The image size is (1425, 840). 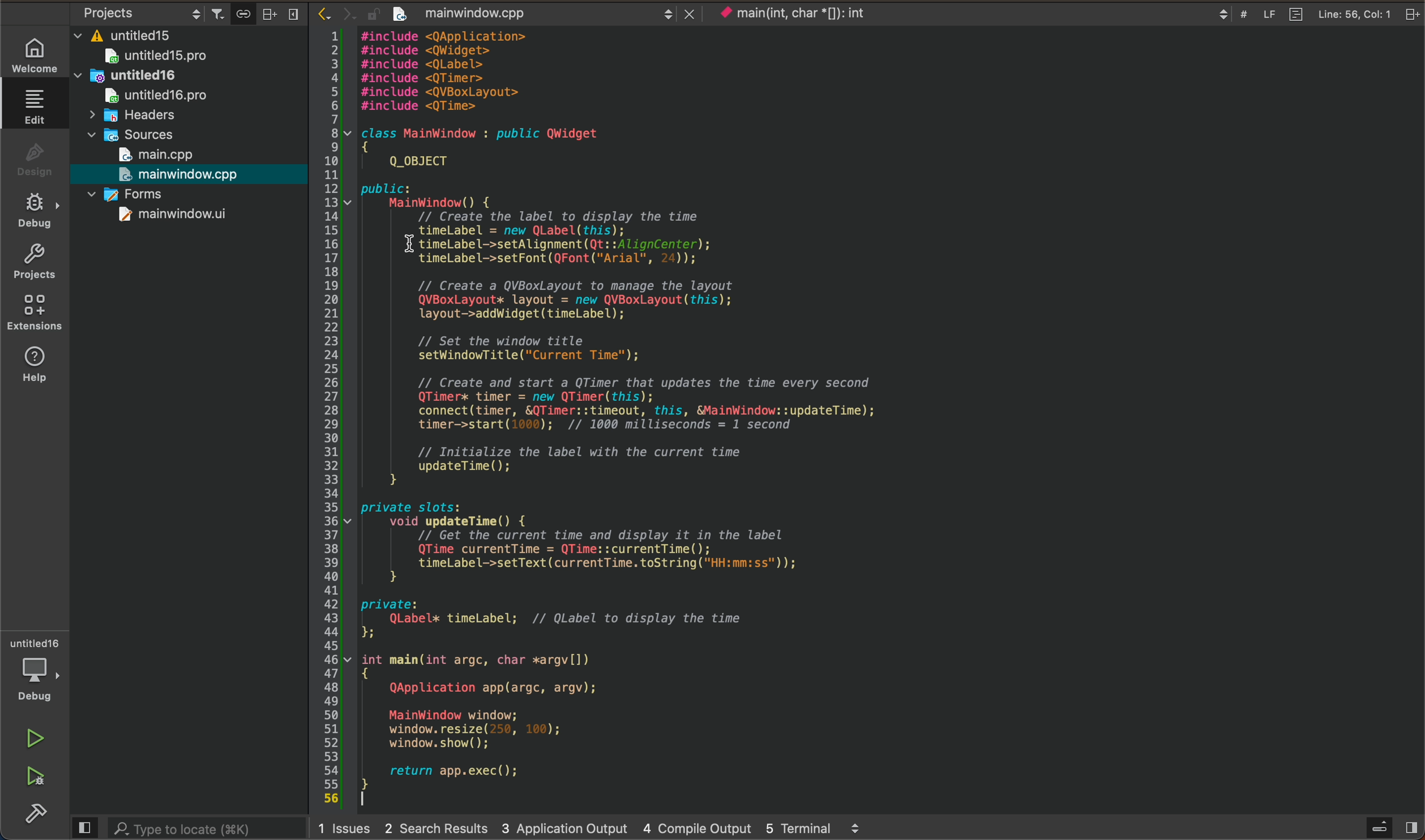 What do you see at coordinates (401, 14) in the screenshot?
I see `create new project` at bounding box center [401, 14].